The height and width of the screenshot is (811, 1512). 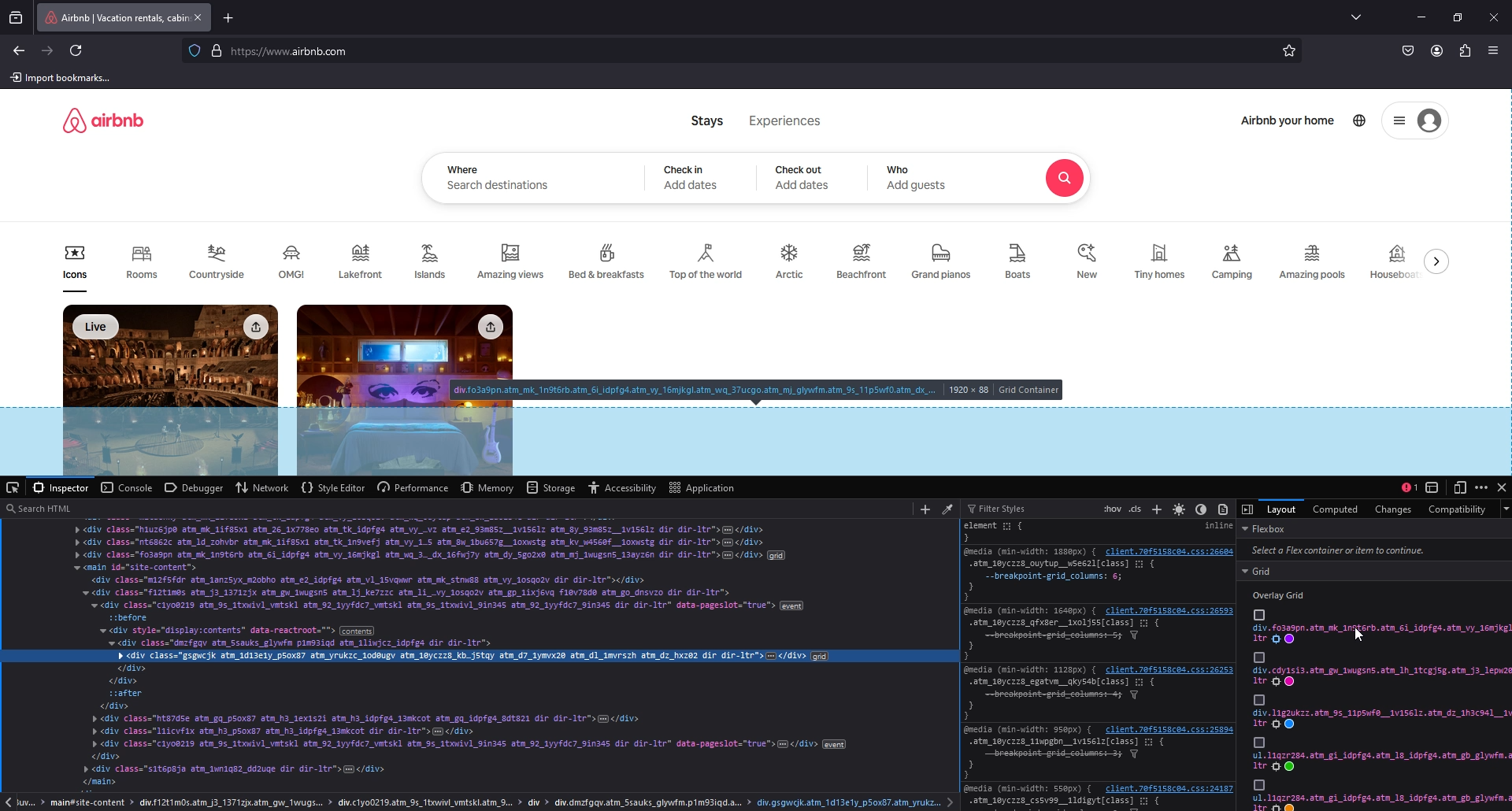 What do you see at coordinates (75, 268) in the screenshot?
I see `Icons` at bounding box center [75, 268].